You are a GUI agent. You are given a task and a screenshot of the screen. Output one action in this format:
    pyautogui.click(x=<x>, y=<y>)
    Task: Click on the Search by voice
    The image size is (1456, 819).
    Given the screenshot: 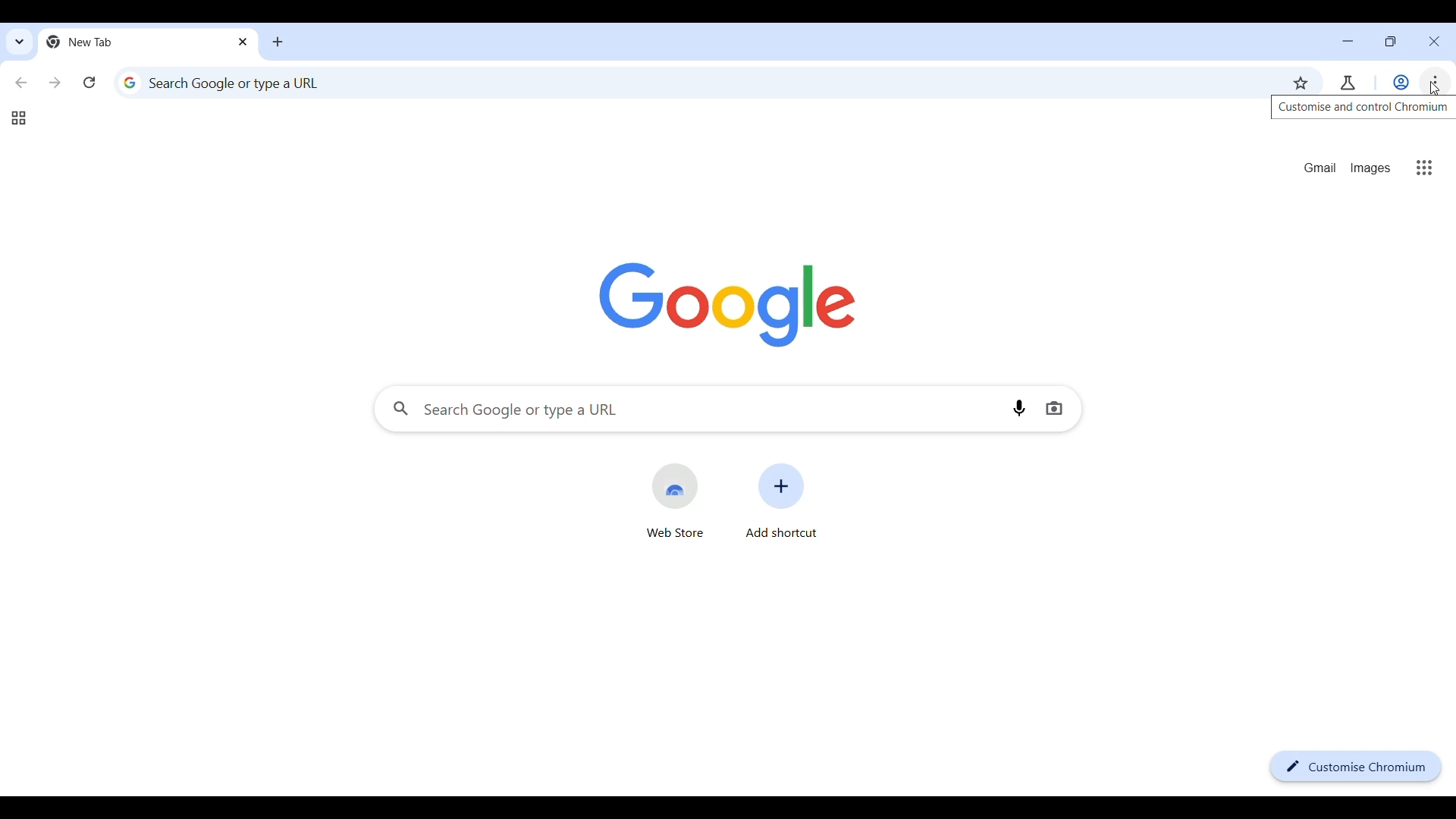 What is the action you would take?
    pyautogui.click(x=1024, y=408)
    